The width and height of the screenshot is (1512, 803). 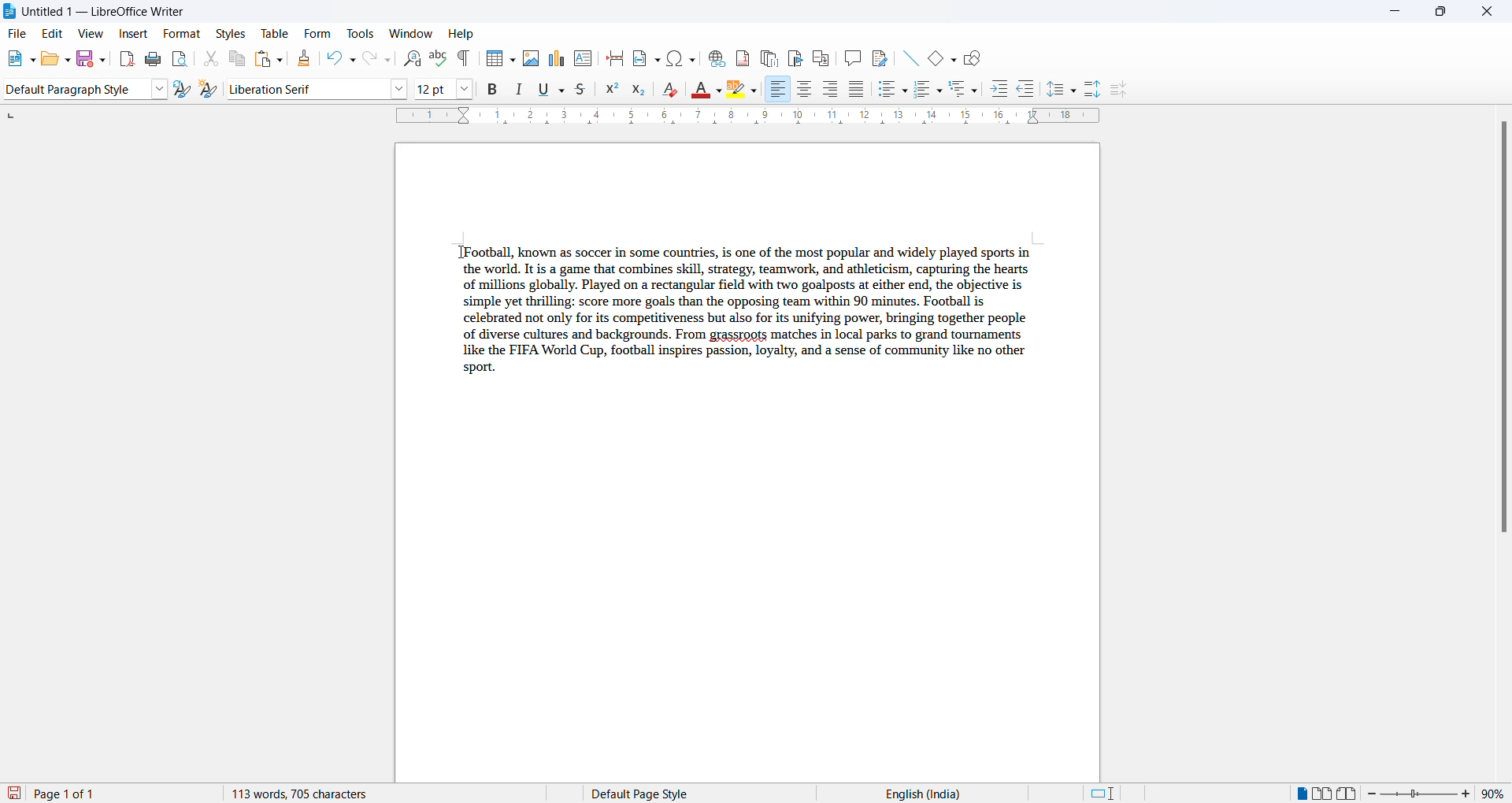 What do you see at coordinates (1495, 793) in the screenshot?
I see `zoom percentage` at bounding box center [1495, 793].